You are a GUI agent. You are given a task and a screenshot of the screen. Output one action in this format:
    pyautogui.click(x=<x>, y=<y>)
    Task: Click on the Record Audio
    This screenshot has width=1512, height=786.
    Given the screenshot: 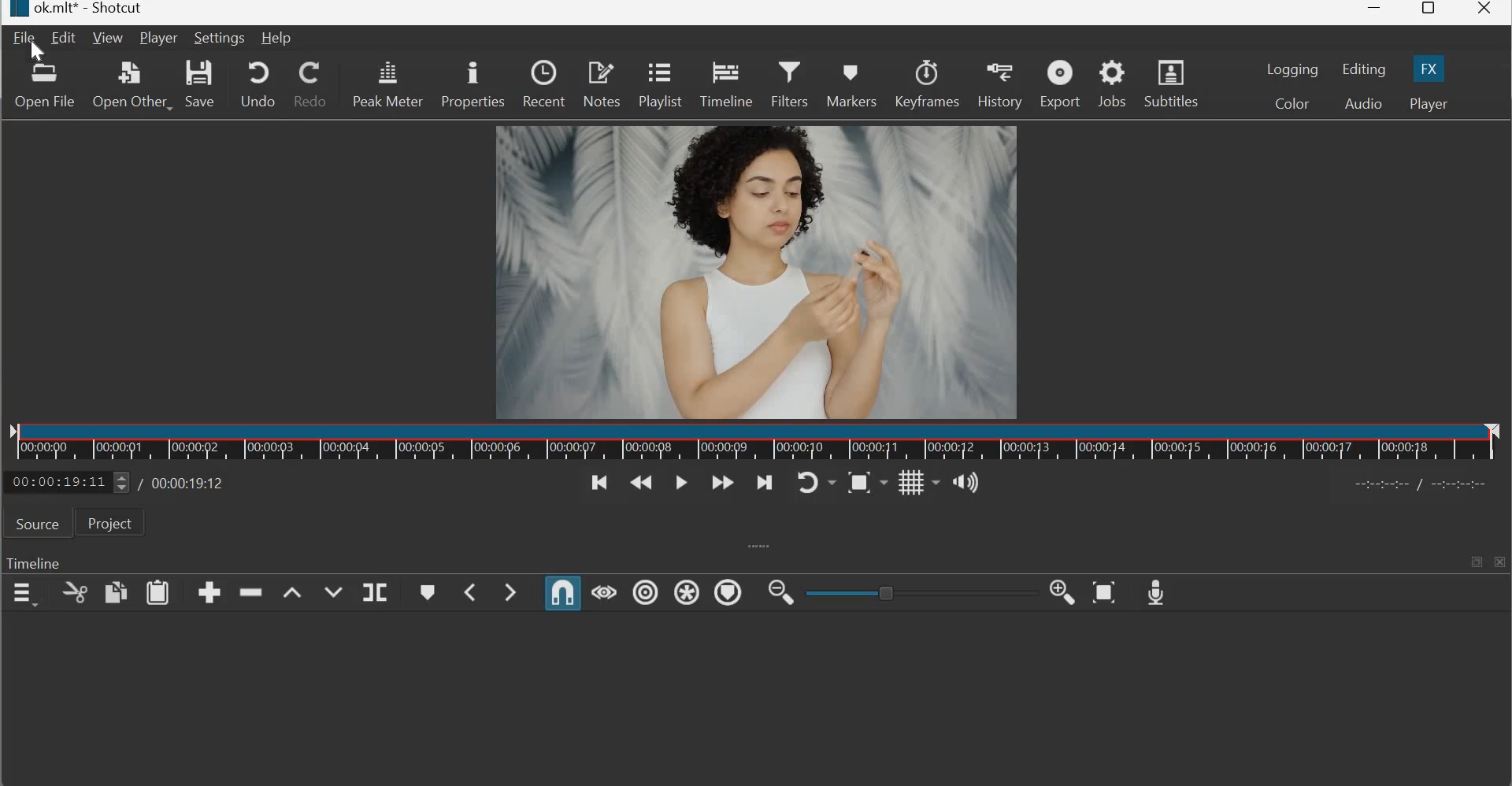 What is the action you would take?
    pyautogui.click(x=1157, y=591)
    